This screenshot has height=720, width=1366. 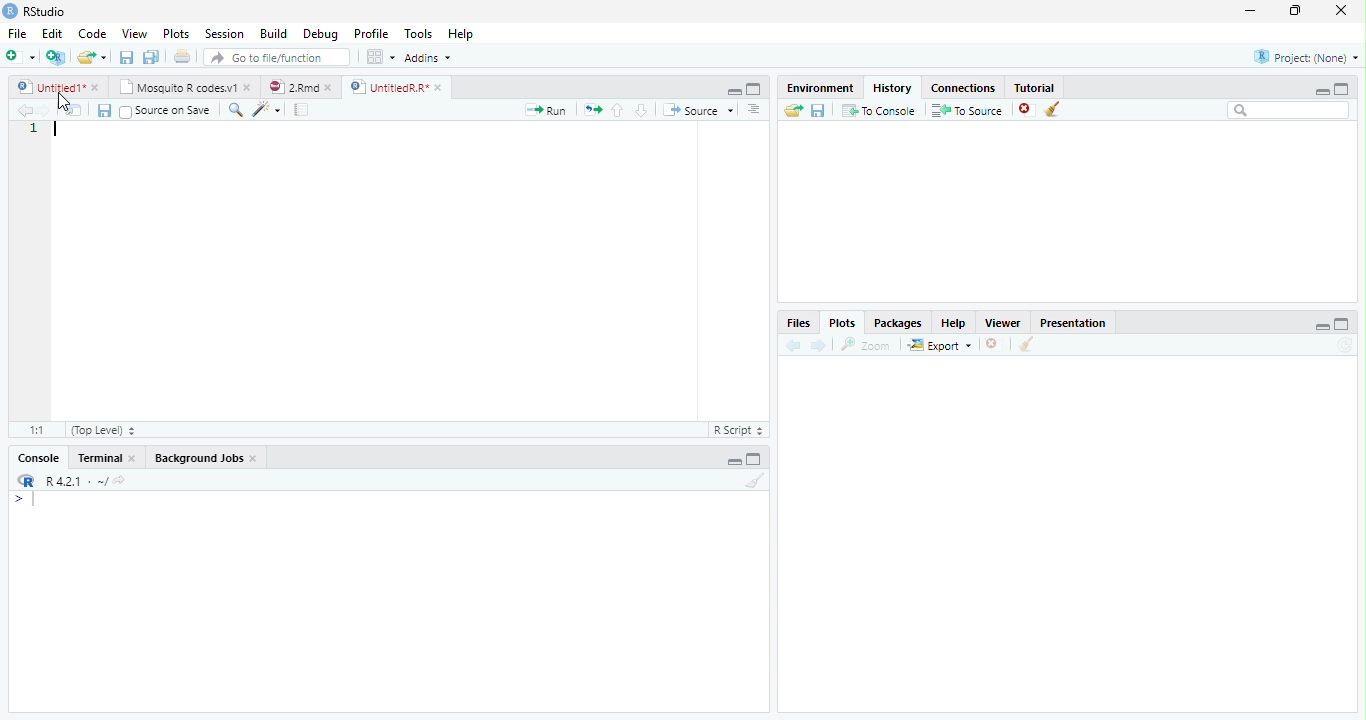 I want to click on Clear console, so click(x=756, y=480).